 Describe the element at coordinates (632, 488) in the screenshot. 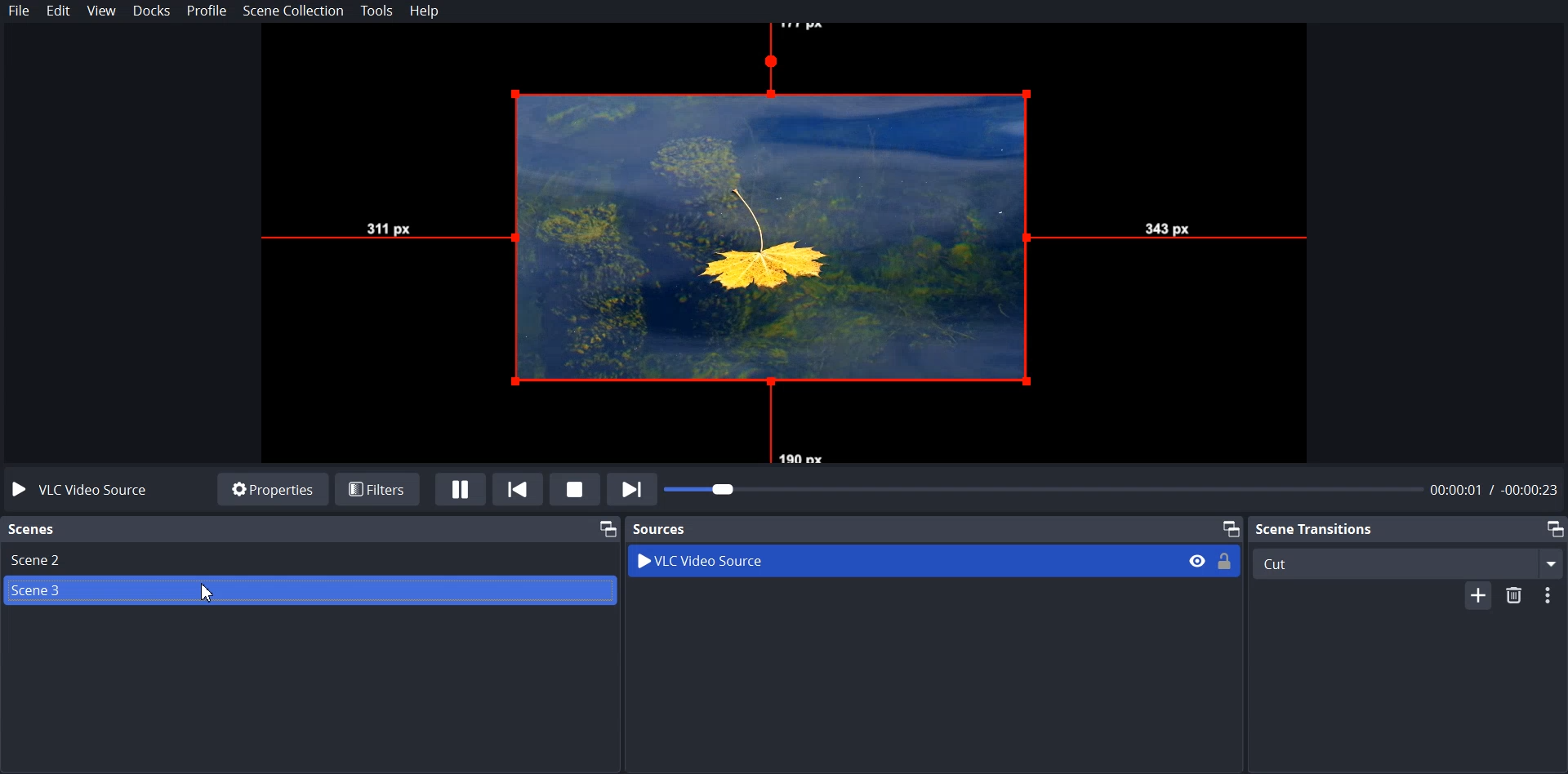

I see `Next in Playlist` at that location.